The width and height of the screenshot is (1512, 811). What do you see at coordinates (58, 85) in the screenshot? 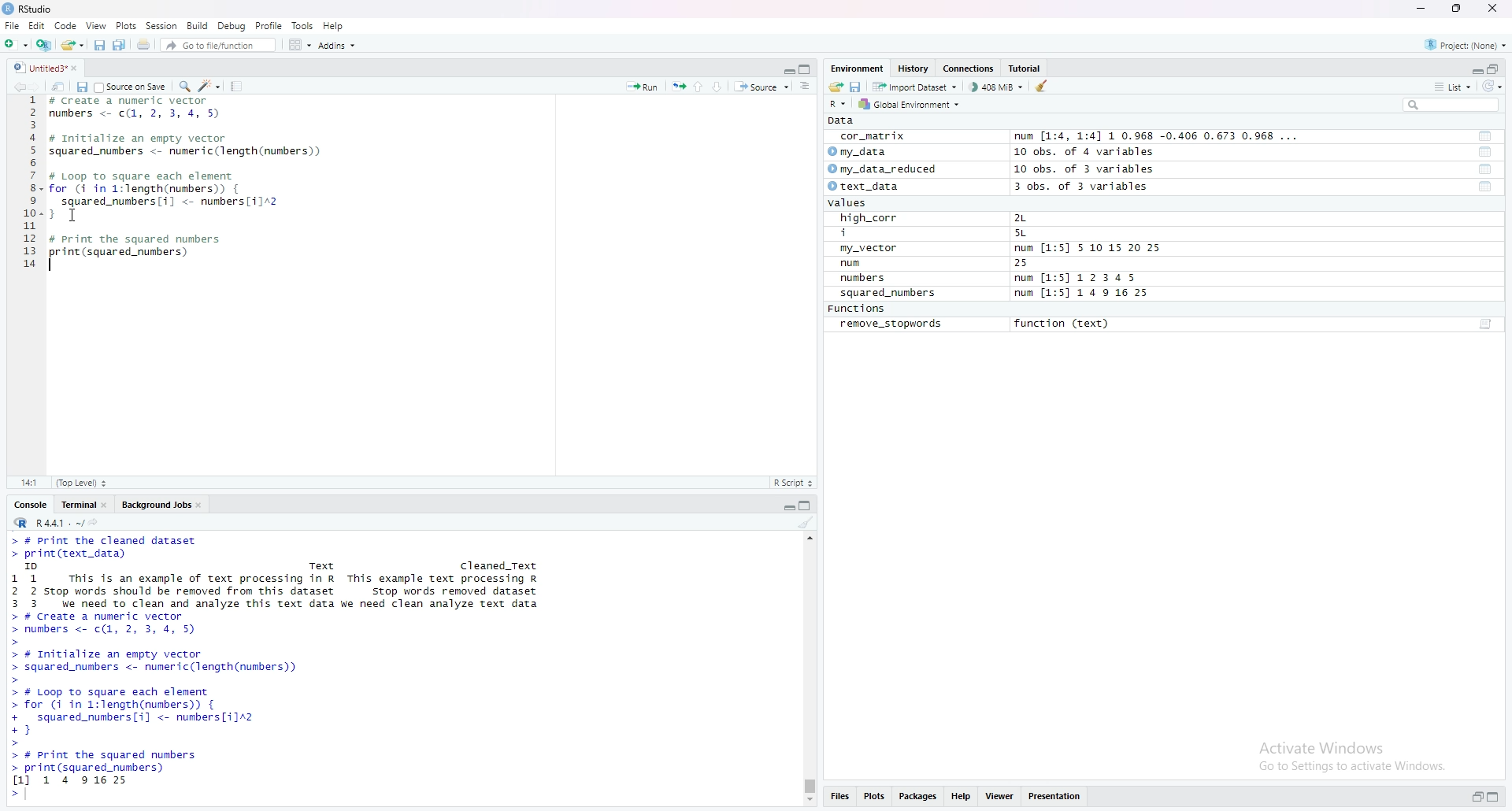
I see `show in new window` at bounding box center [58, 85].